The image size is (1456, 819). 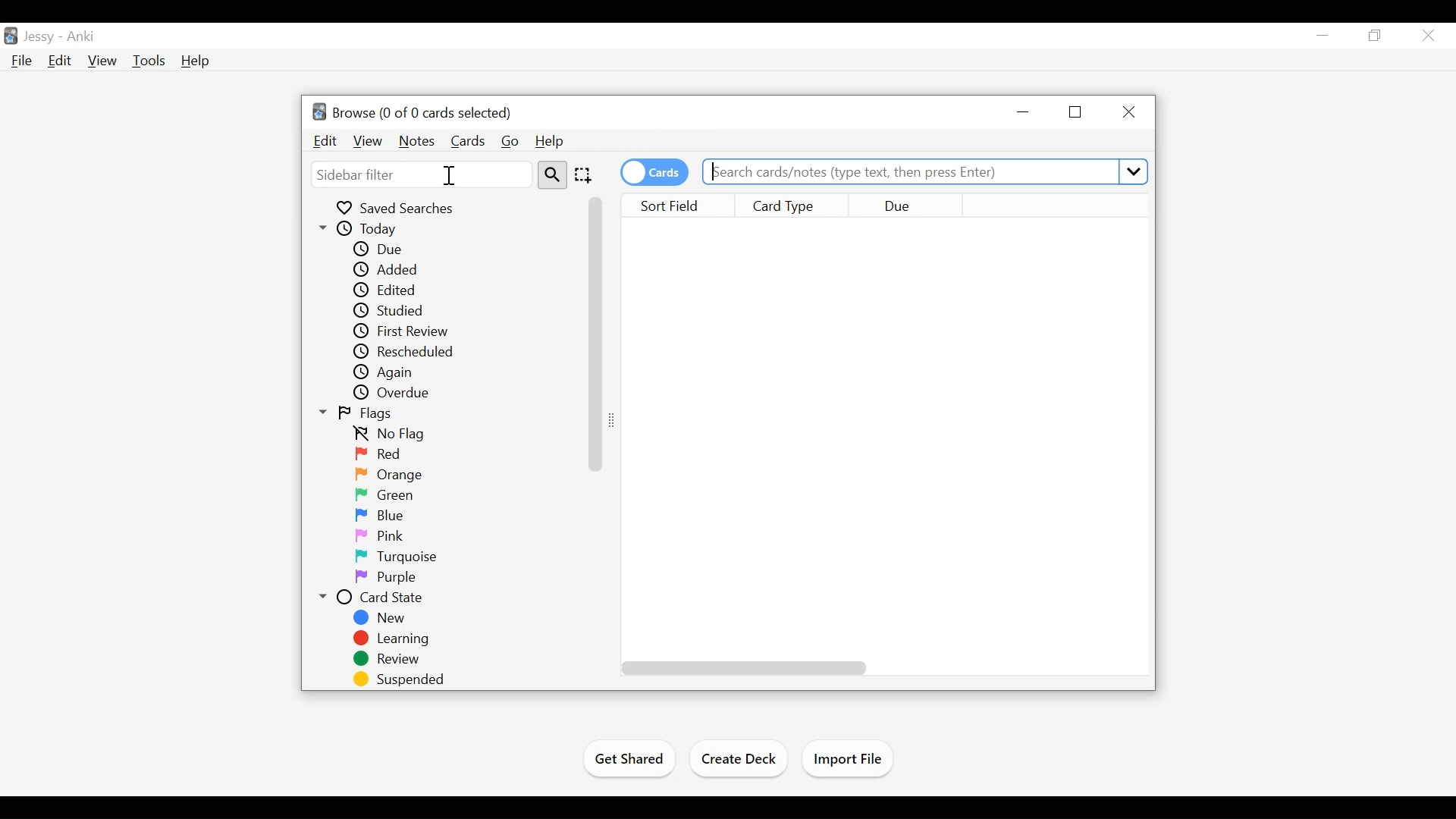 I want to click on Close, so click(x=1130, y=111).